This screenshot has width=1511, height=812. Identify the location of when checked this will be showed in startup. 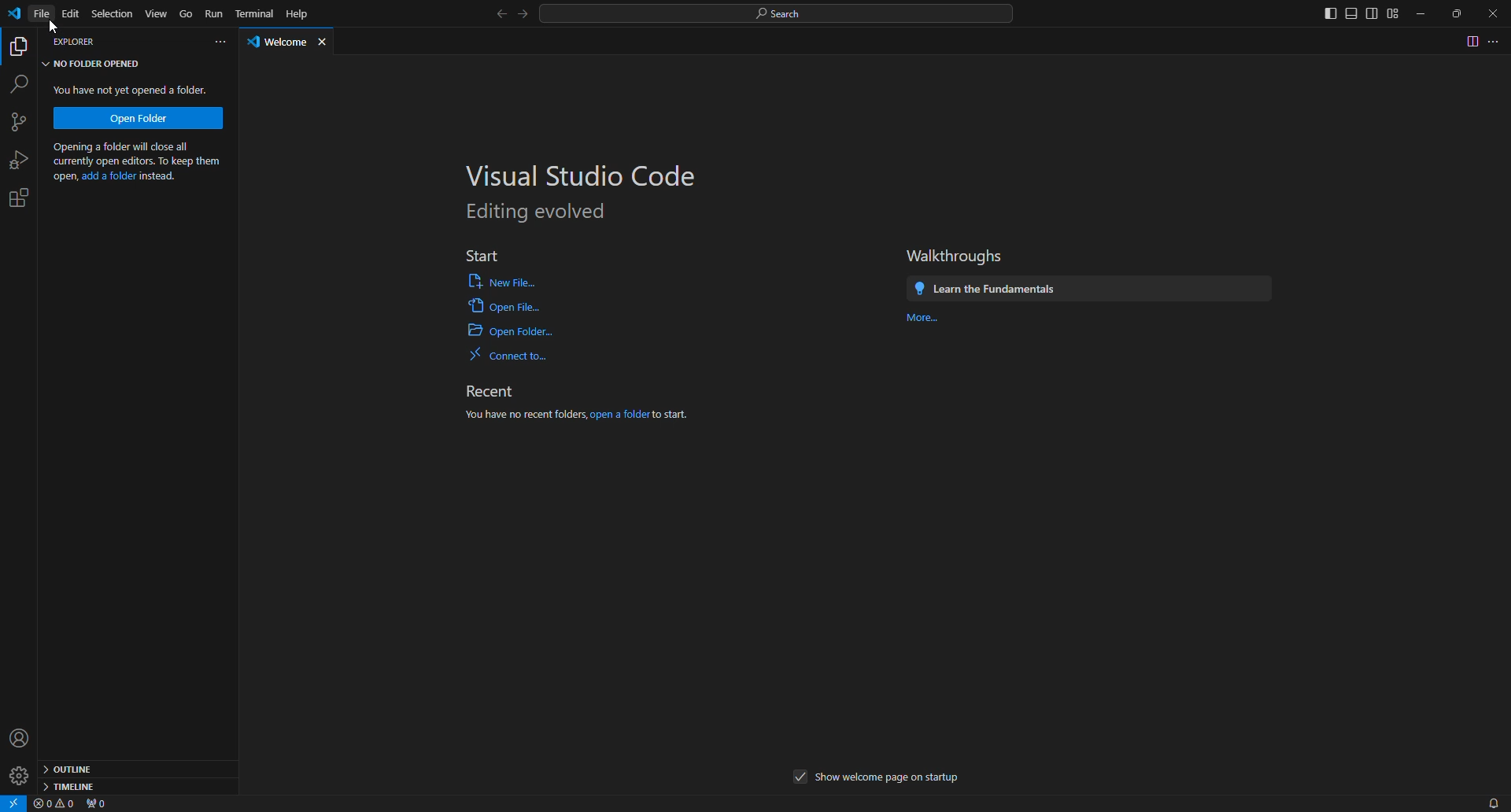
(801, 777).